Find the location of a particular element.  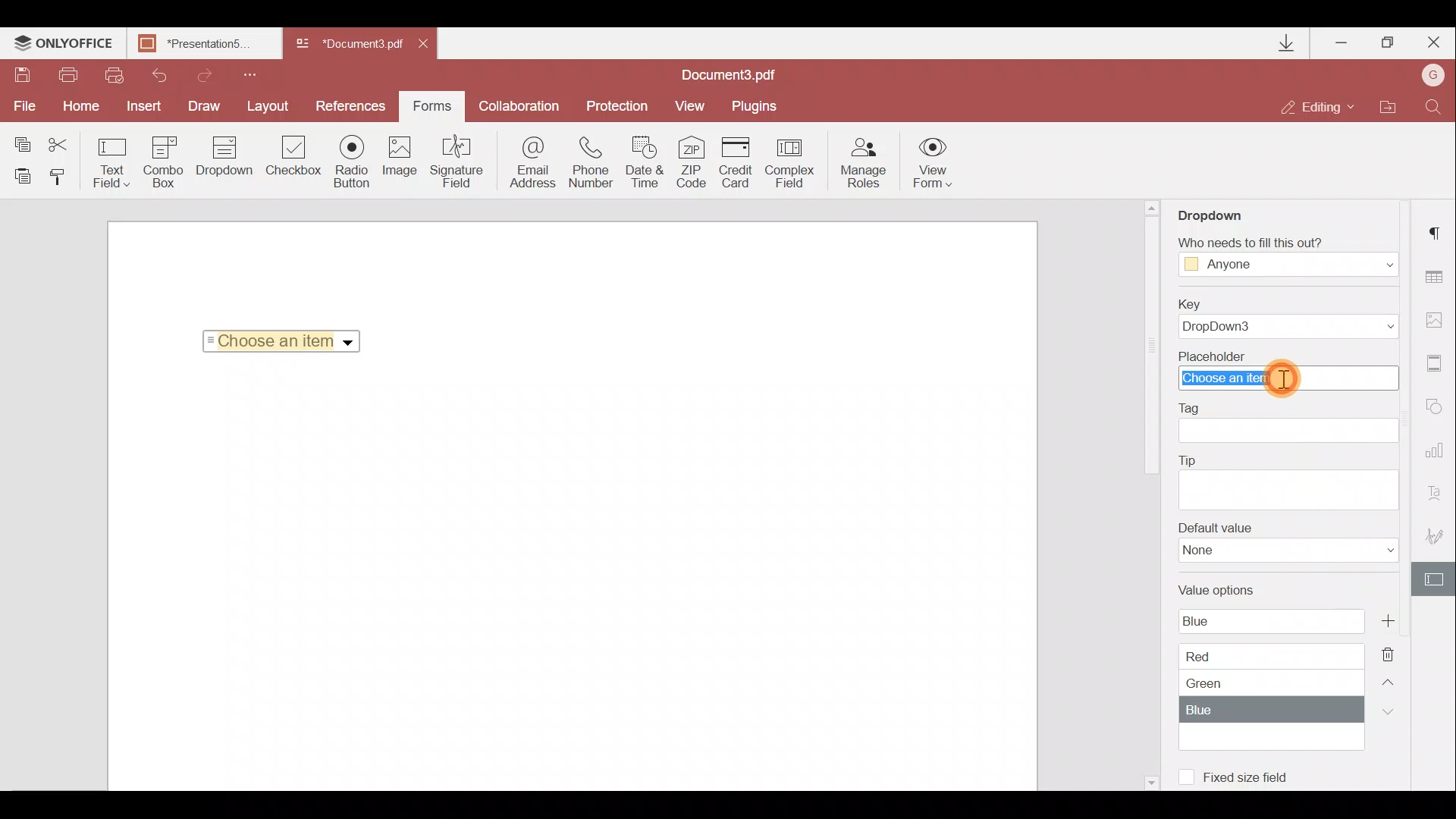

Document name is located at coordinates (736, 74).